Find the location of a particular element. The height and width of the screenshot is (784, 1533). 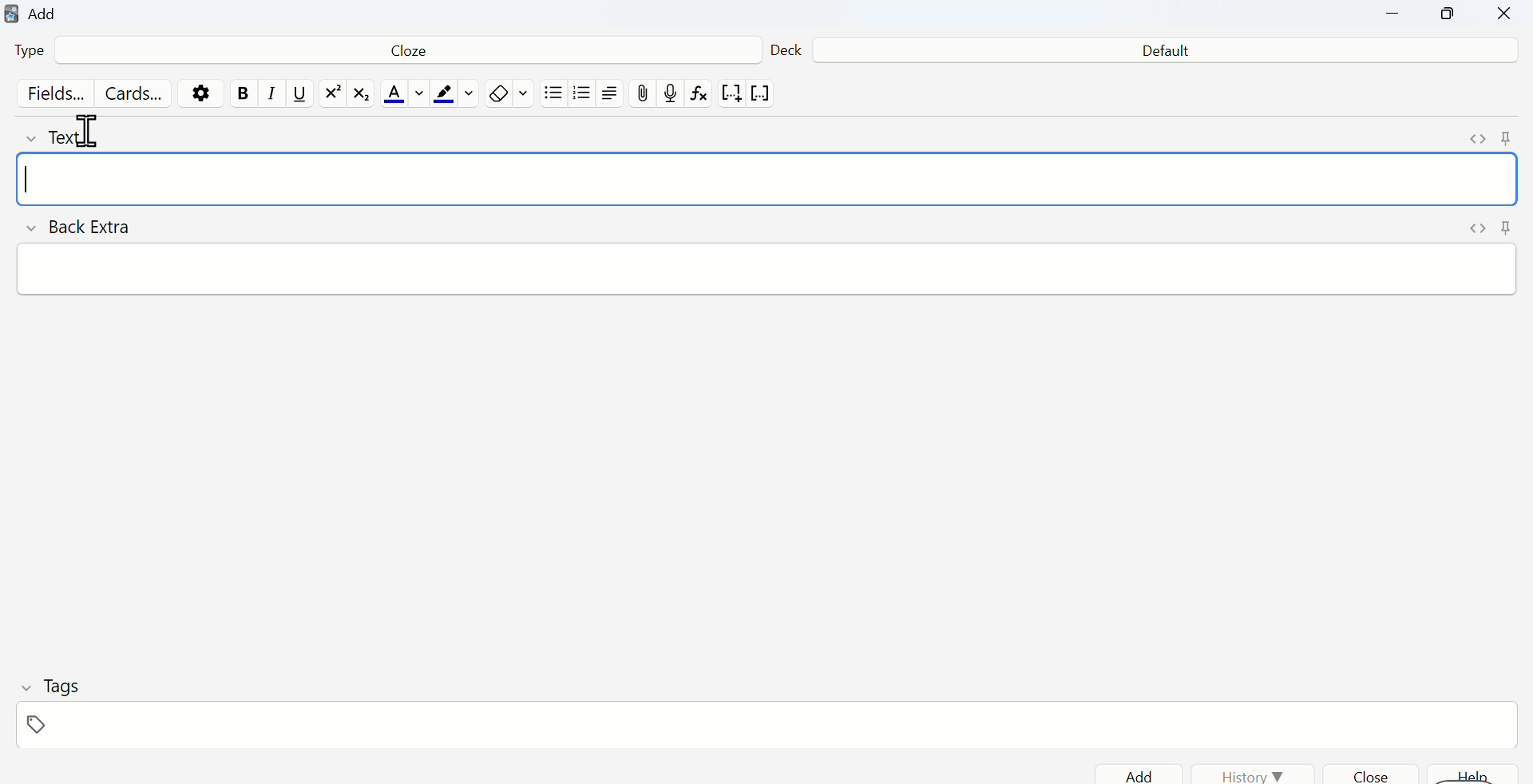

vector is located at coordinates (763, 94).